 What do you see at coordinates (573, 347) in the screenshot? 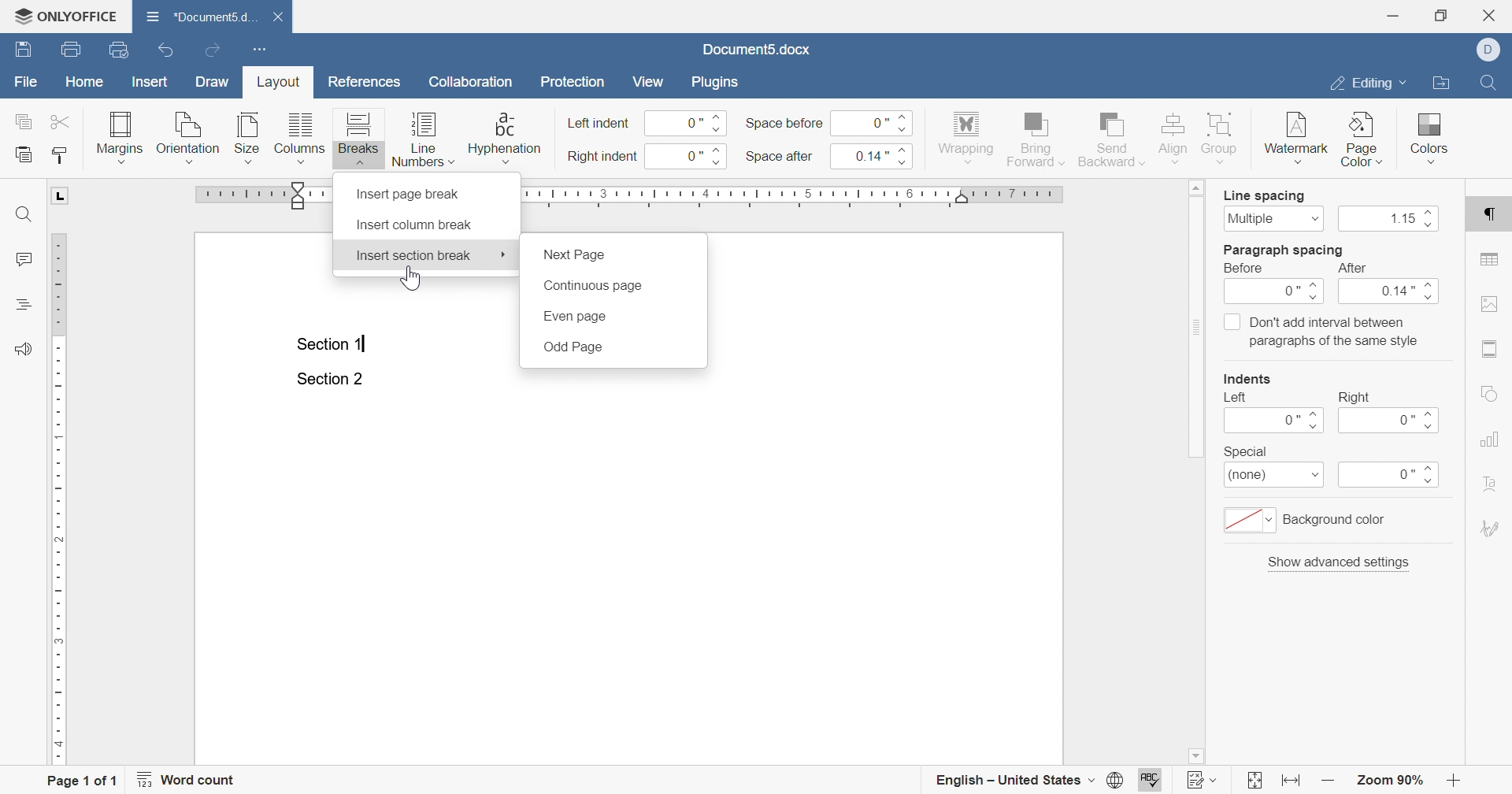
I see `odd page` at bounding box center [573, 347].